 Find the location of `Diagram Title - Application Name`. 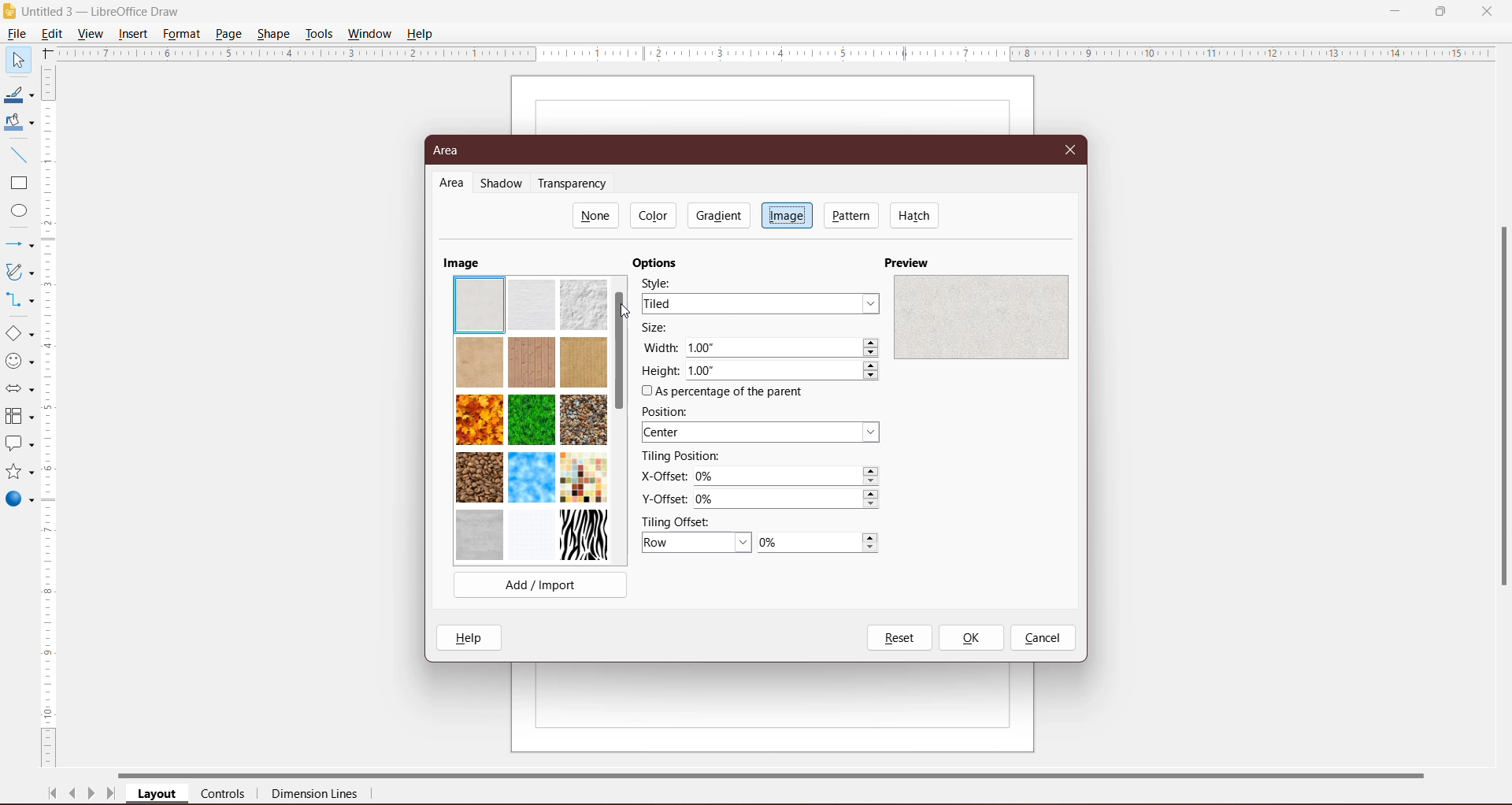

Diagram Title - Application Name is located at coordinates (106, 11).